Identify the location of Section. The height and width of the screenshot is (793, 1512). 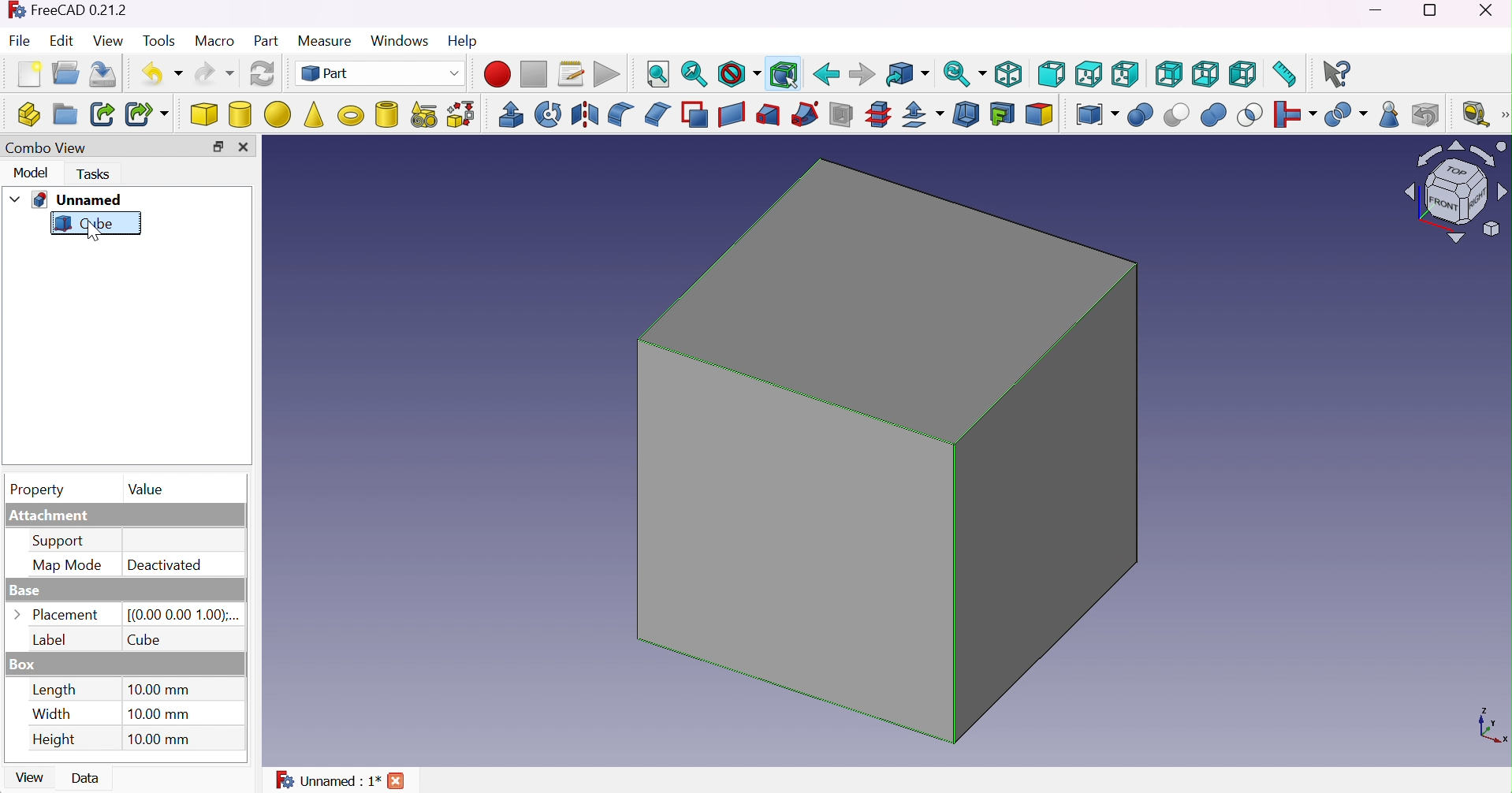
(840, 116).